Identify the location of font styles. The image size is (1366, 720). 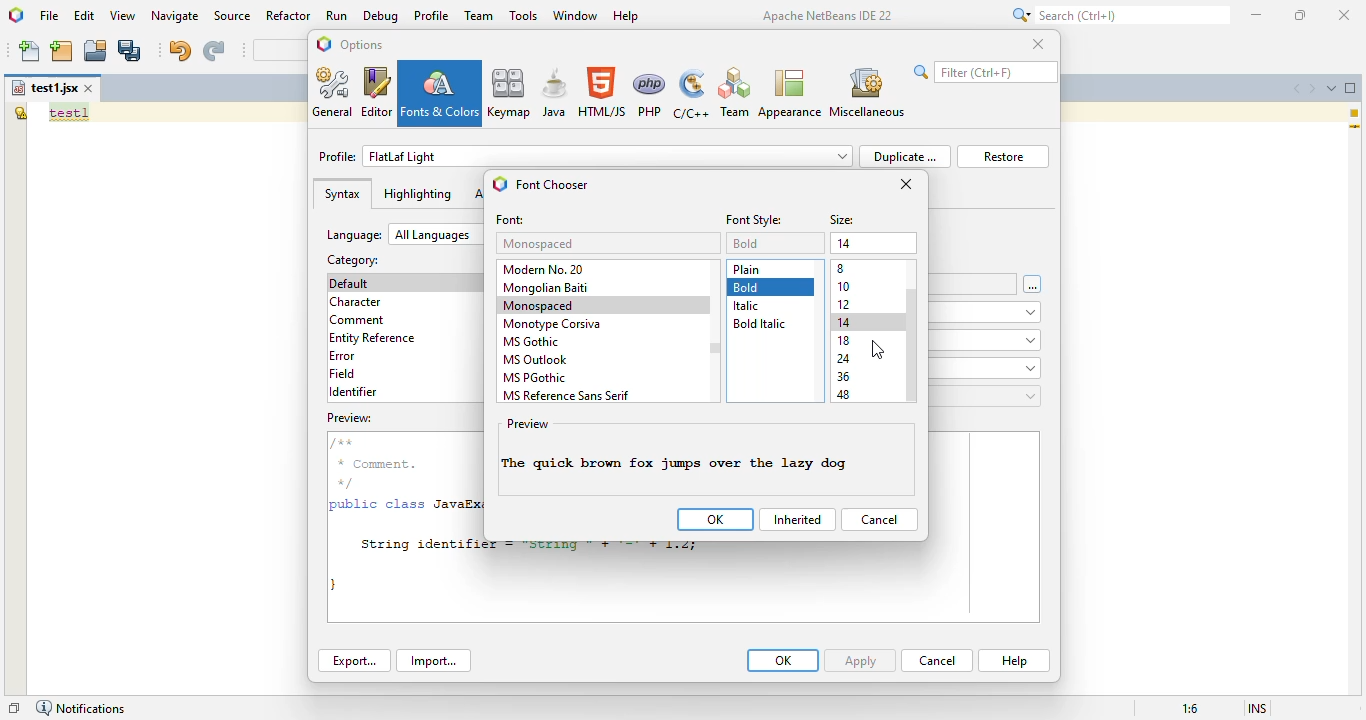
(755, 220).